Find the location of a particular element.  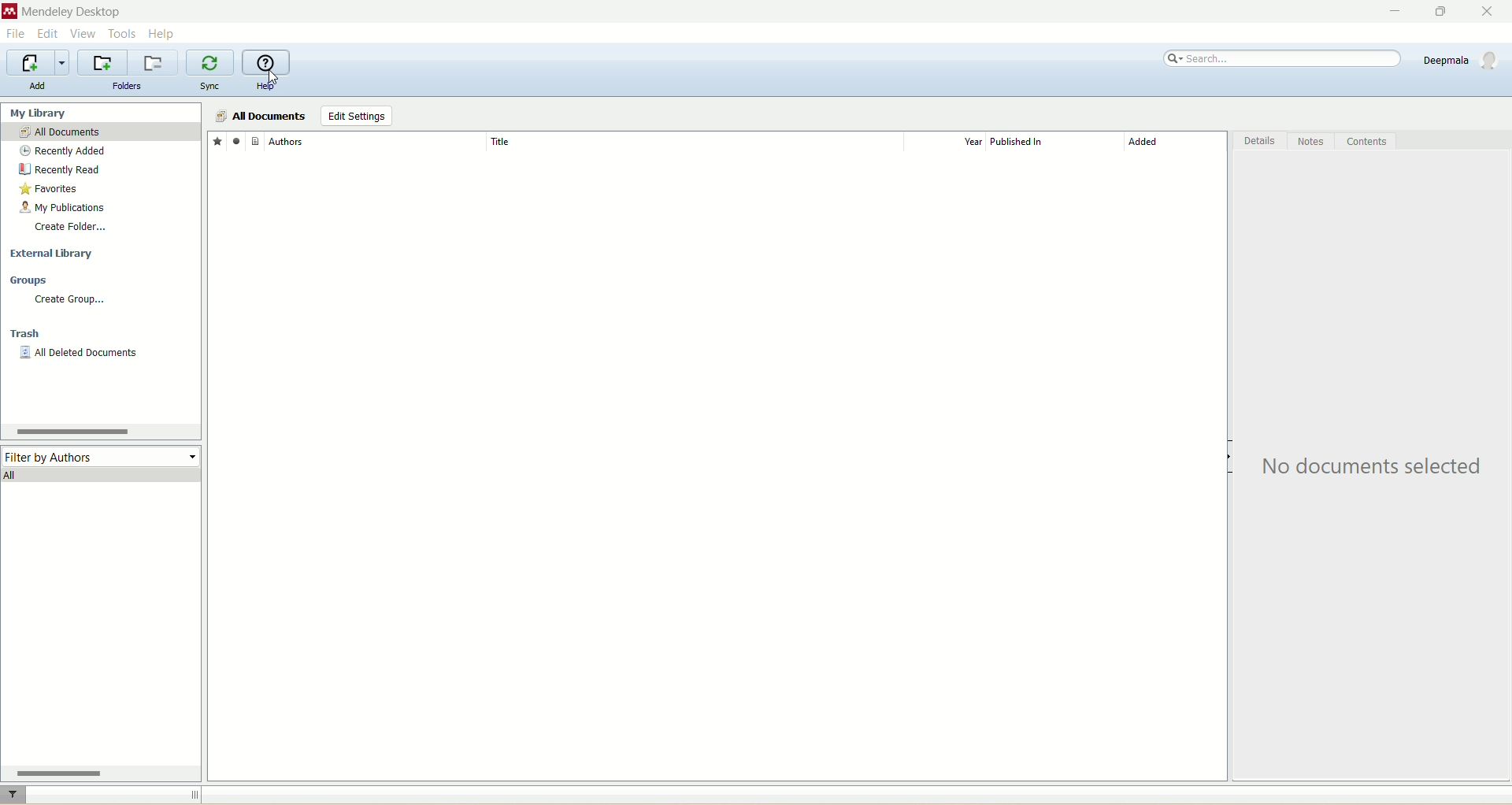

sync is located at coordinates (213, 87).